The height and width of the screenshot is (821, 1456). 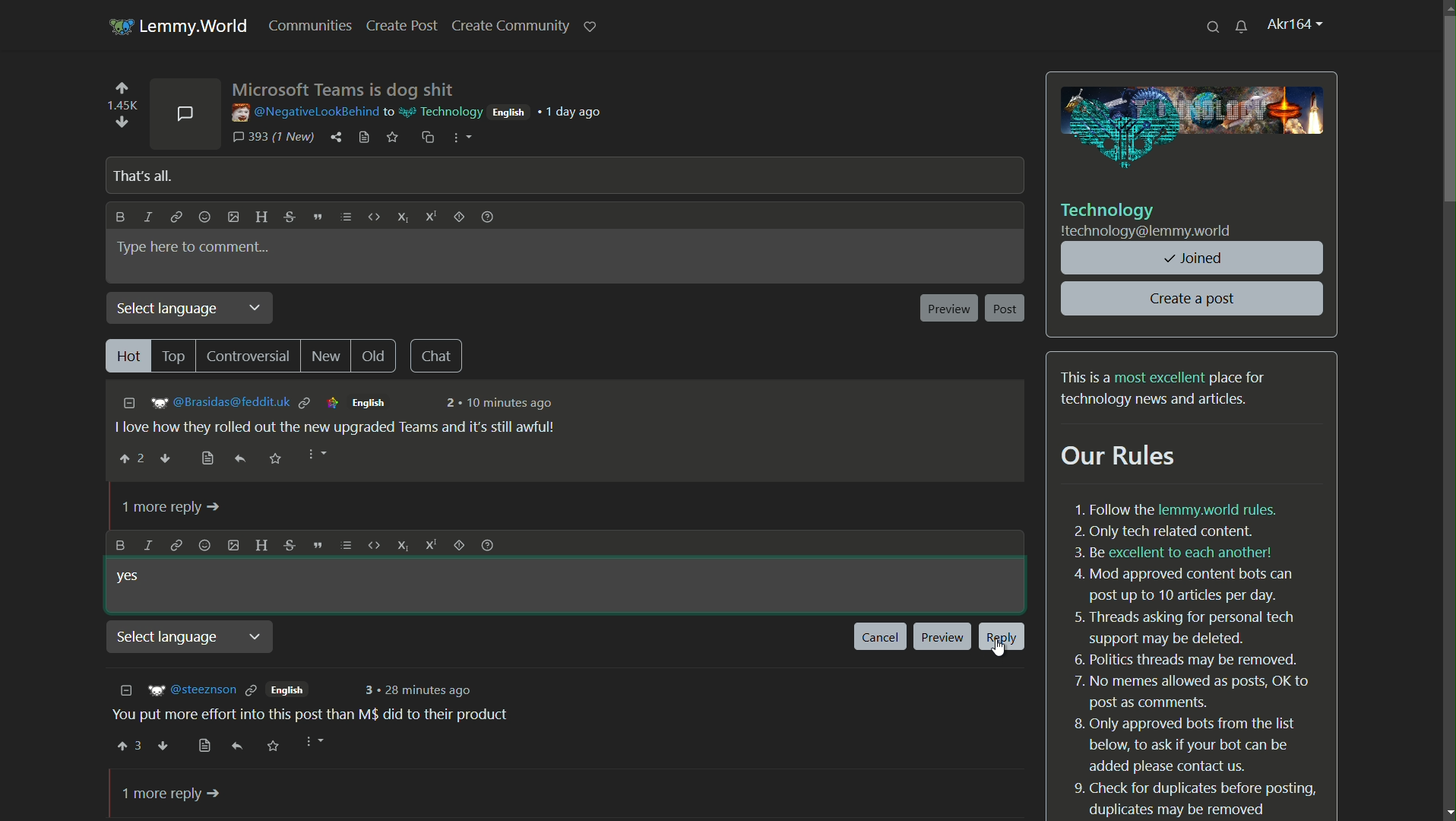 I want to click on community server name, so click(x=1147, y=232).